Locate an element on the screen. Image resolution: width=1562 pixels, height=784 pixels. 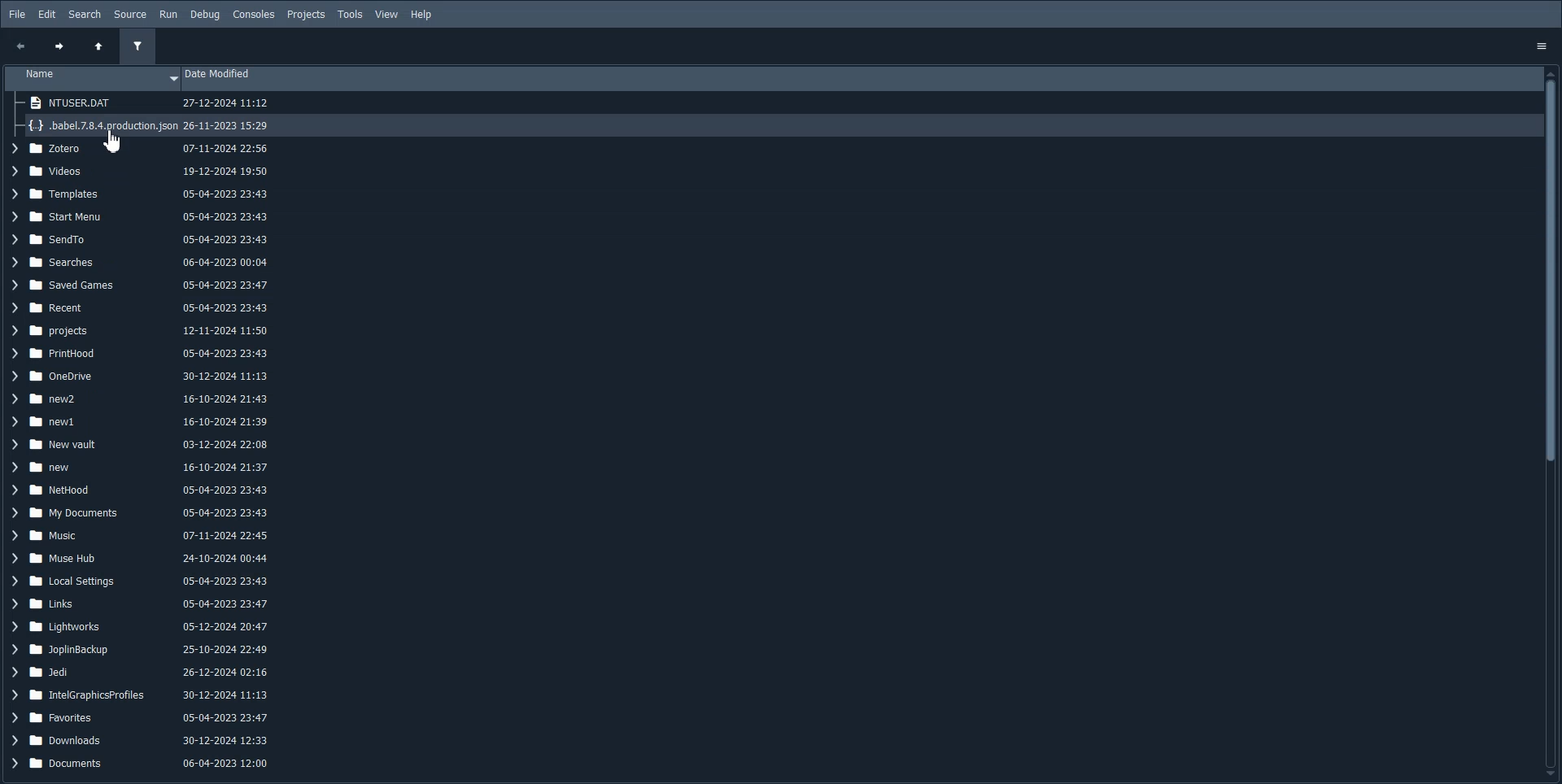
Options is located at coordinates (1546, 44).